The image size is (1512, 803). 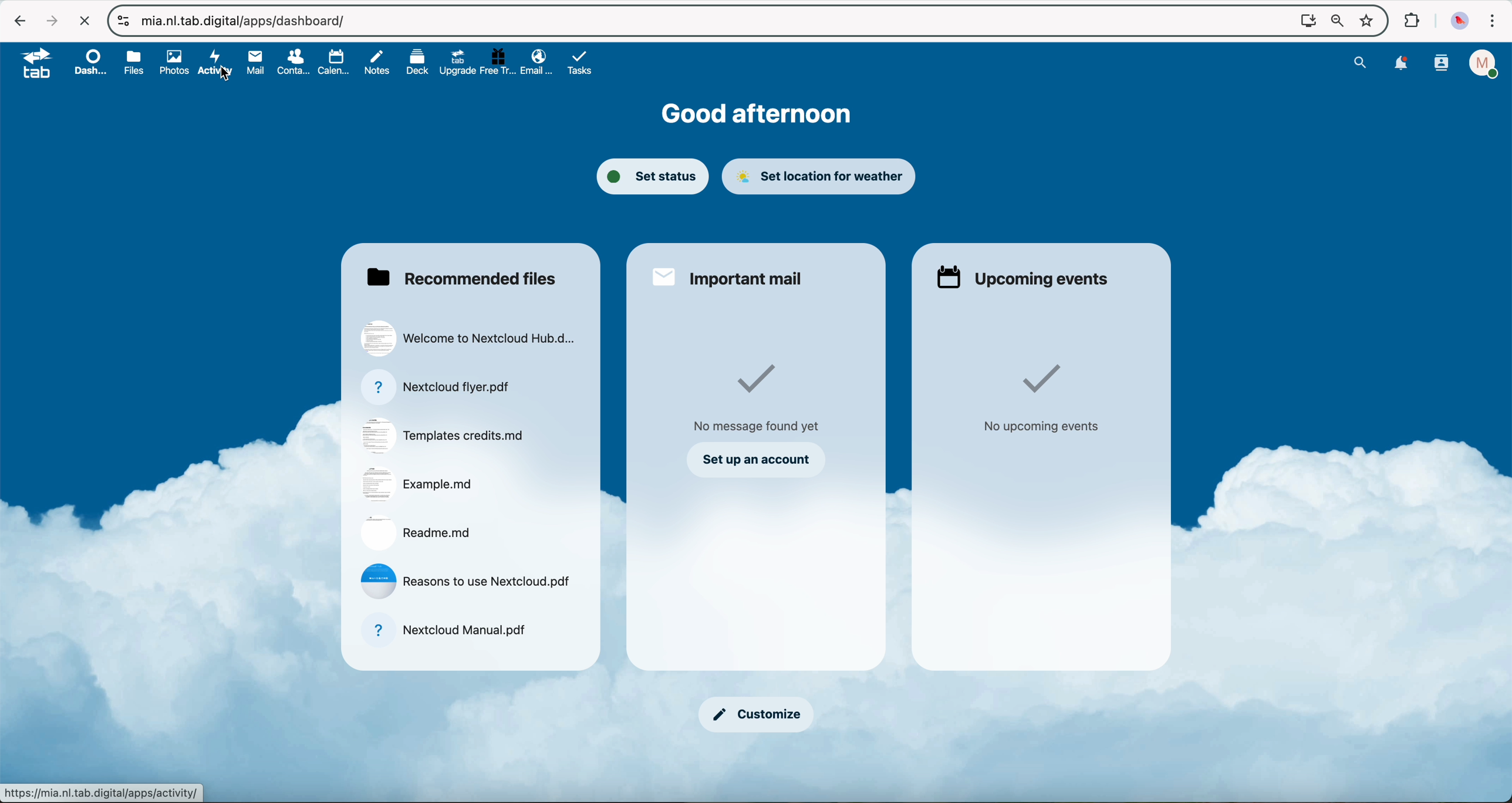 I want to click on no message found yet, so click(x=761, y=396).